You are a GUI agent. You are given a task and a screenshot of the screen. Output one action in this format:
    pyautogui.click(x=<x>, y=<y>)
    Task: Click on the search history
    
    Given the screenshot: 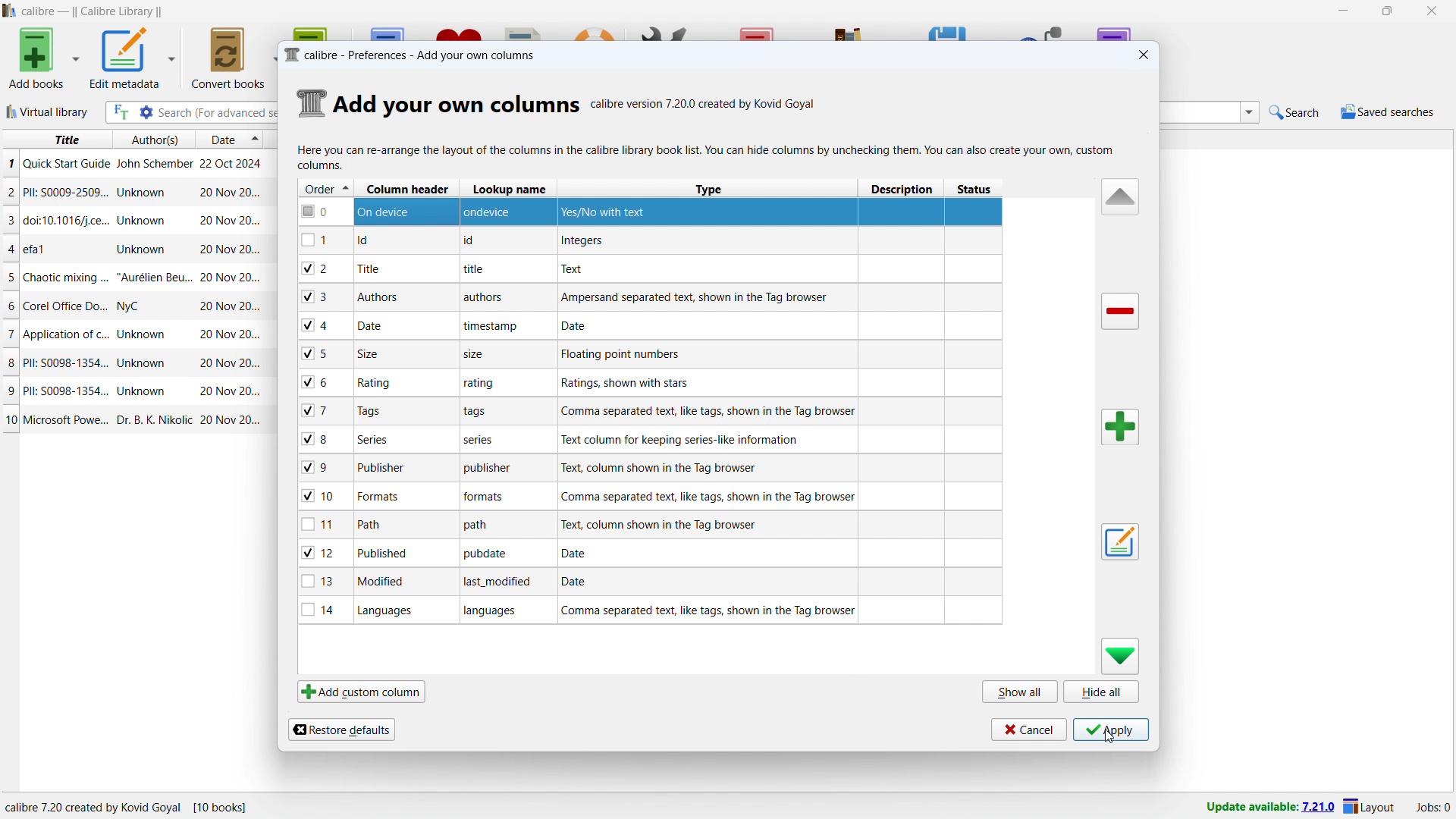 What is the action you would take?
    pyautogui.click(x=1250, y=111)
    